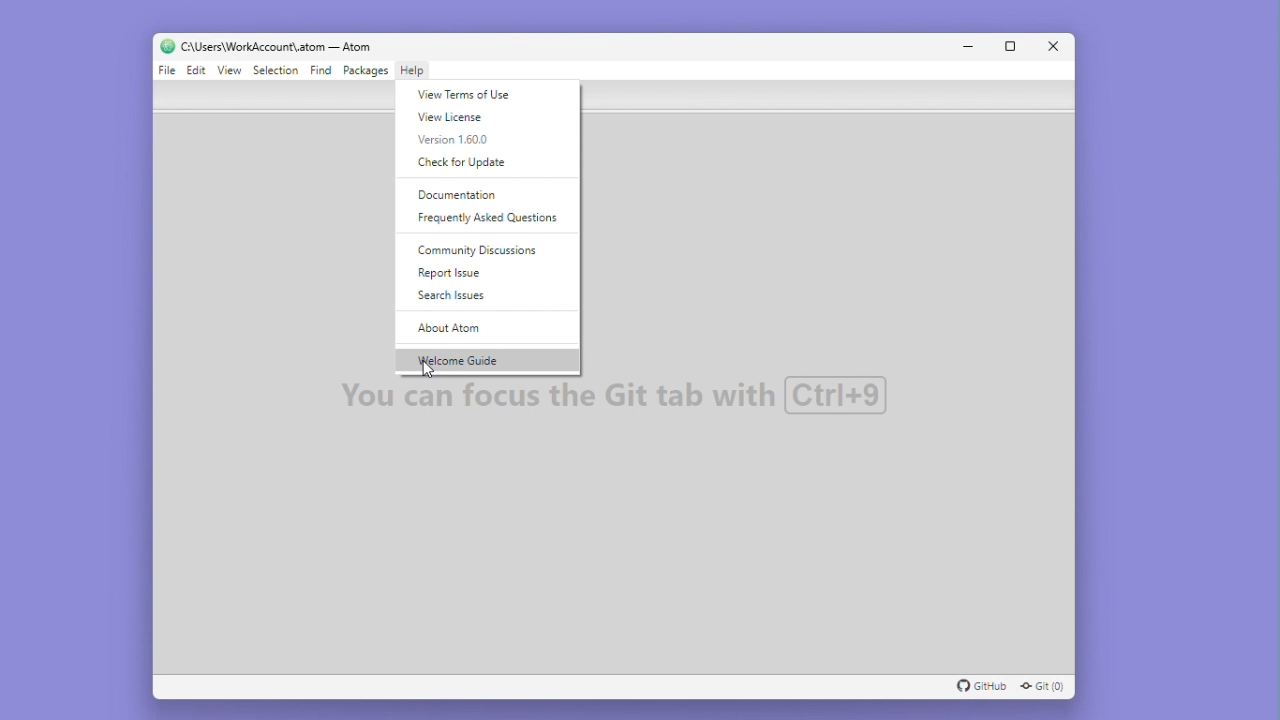 The image size is (1280, 720). What do you see at coordinates (465, 161) in the screenshot?
I see `Check for update` at bounding box center [465, 161].